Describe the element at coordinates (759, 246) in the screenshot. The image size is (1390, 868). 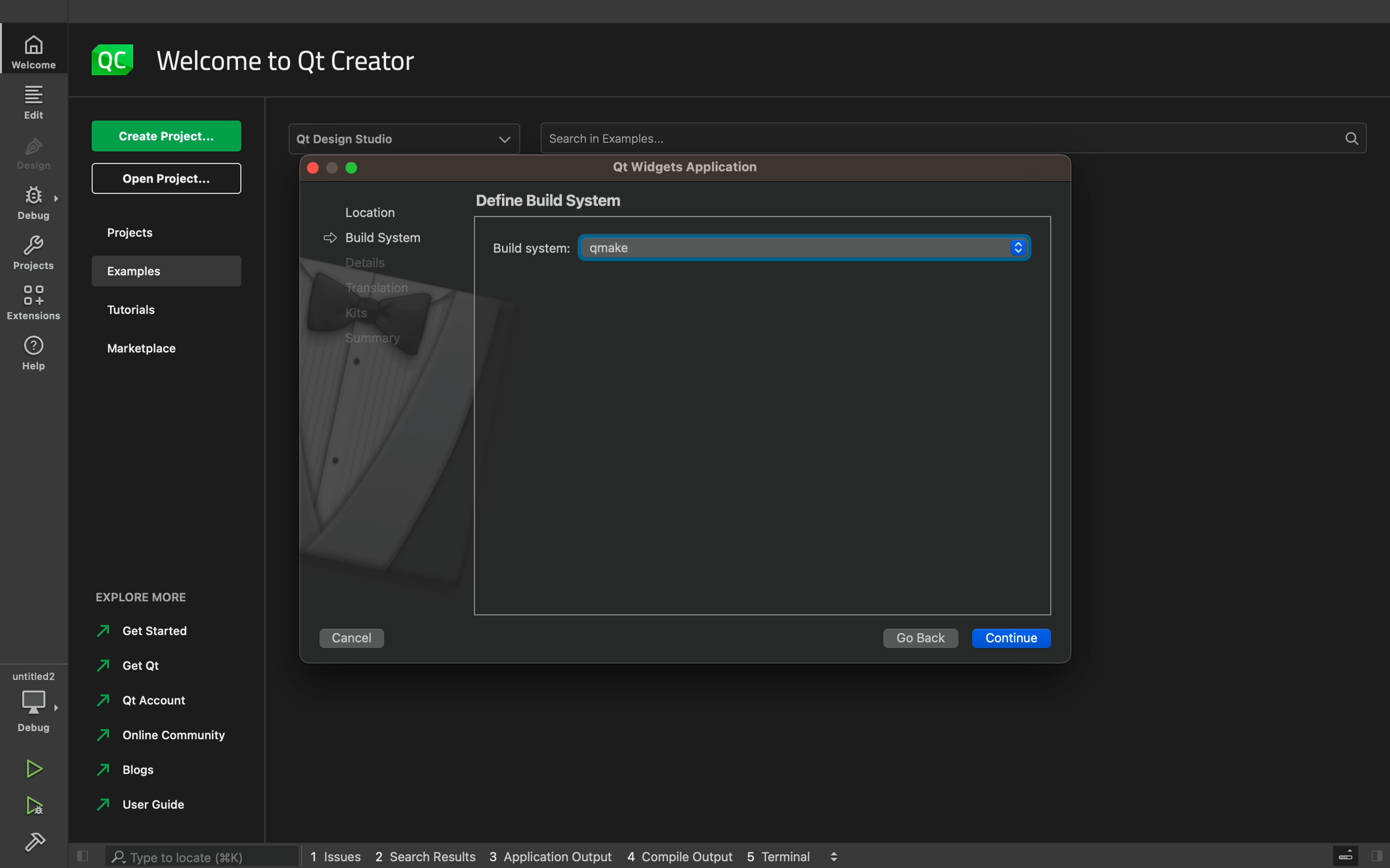
I see `build system: qmake` at that location.